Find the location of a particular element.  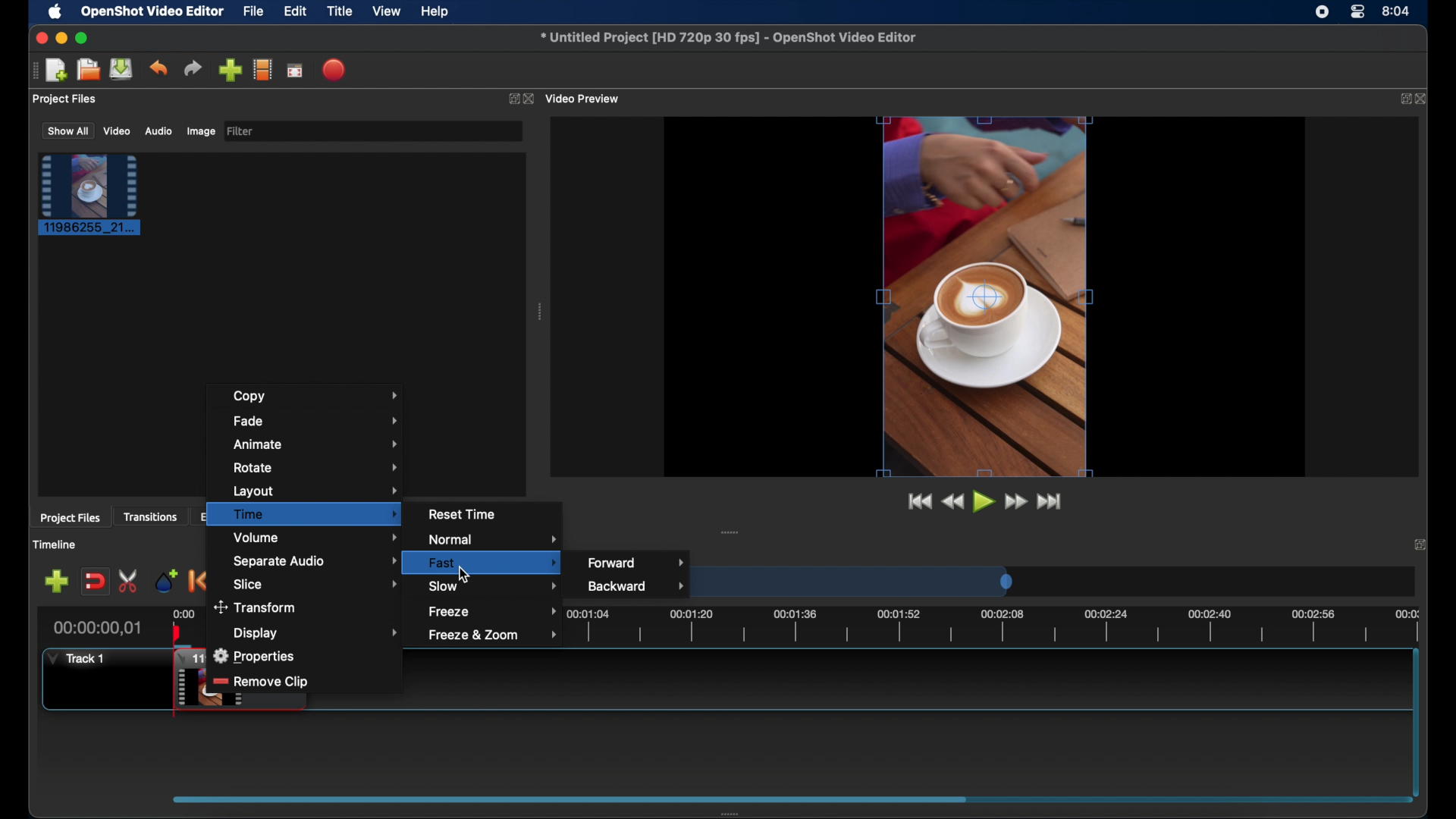

cursor is located at coordinates (466, 576).